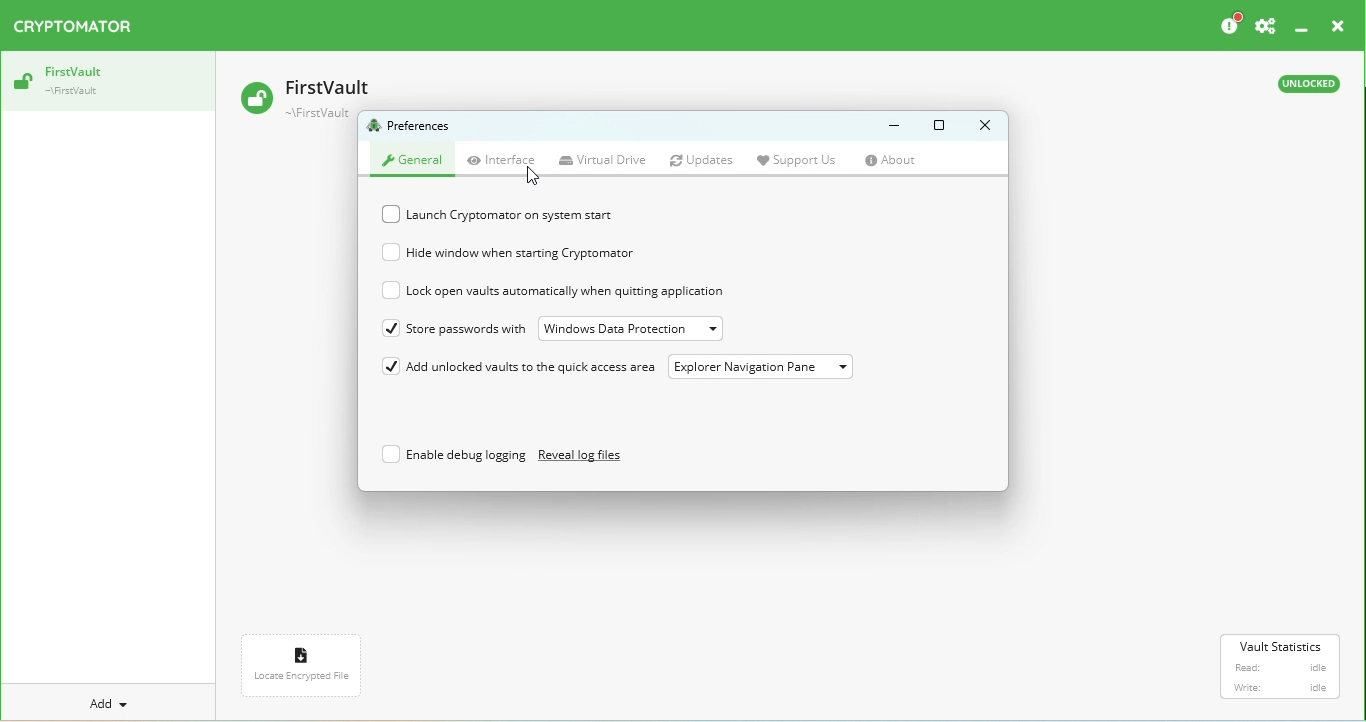 This screenshot has width=1366, height=722. What do you see at coordinates (886, 126) in the screenshot?
I see `Minimize` at bounding box center [886, 126].